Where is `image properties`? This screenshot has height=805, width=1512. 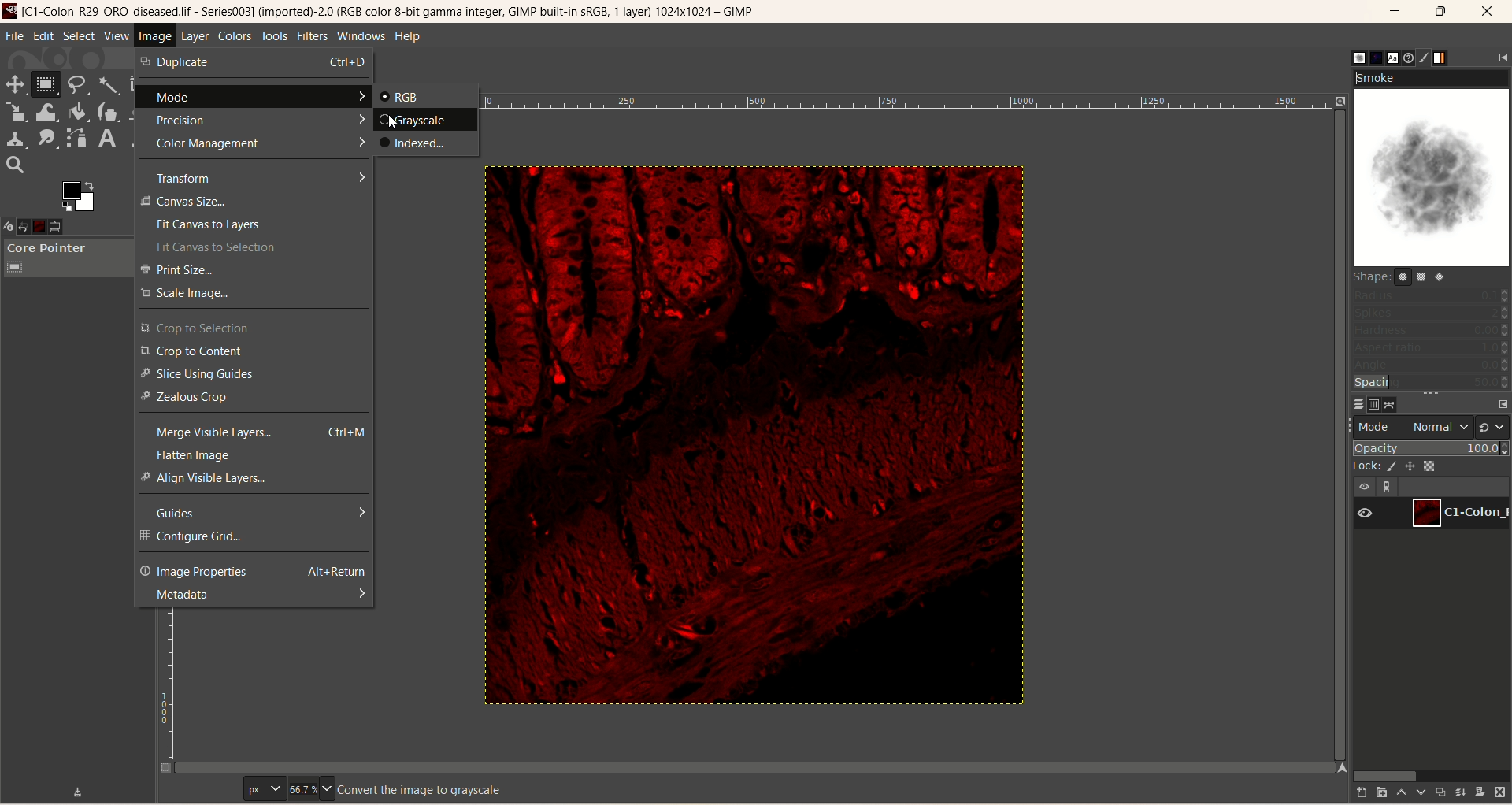 image properties is located at coordinates (254, 572).